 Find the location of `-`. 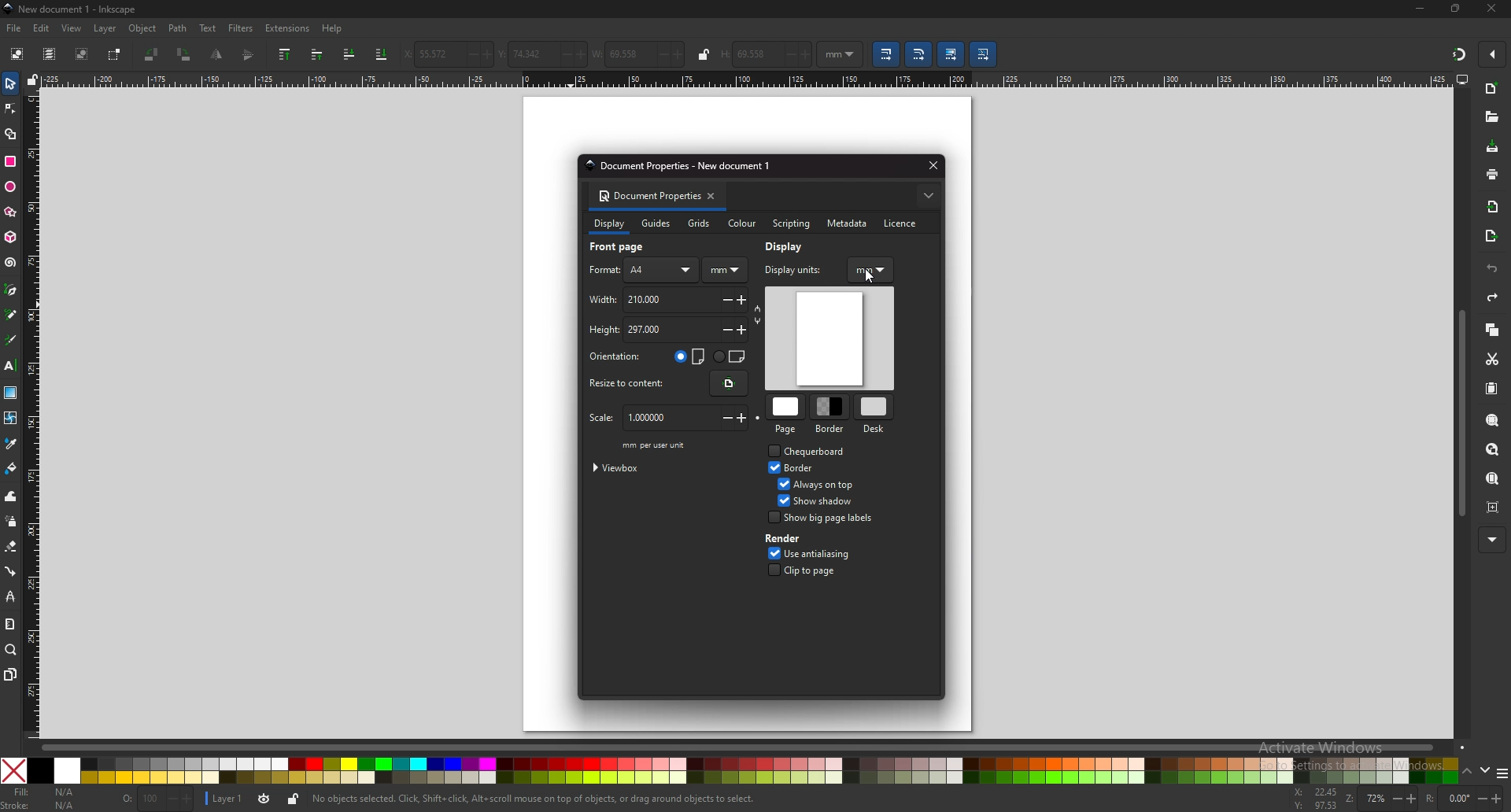

- is located at coordinates (722, 330).